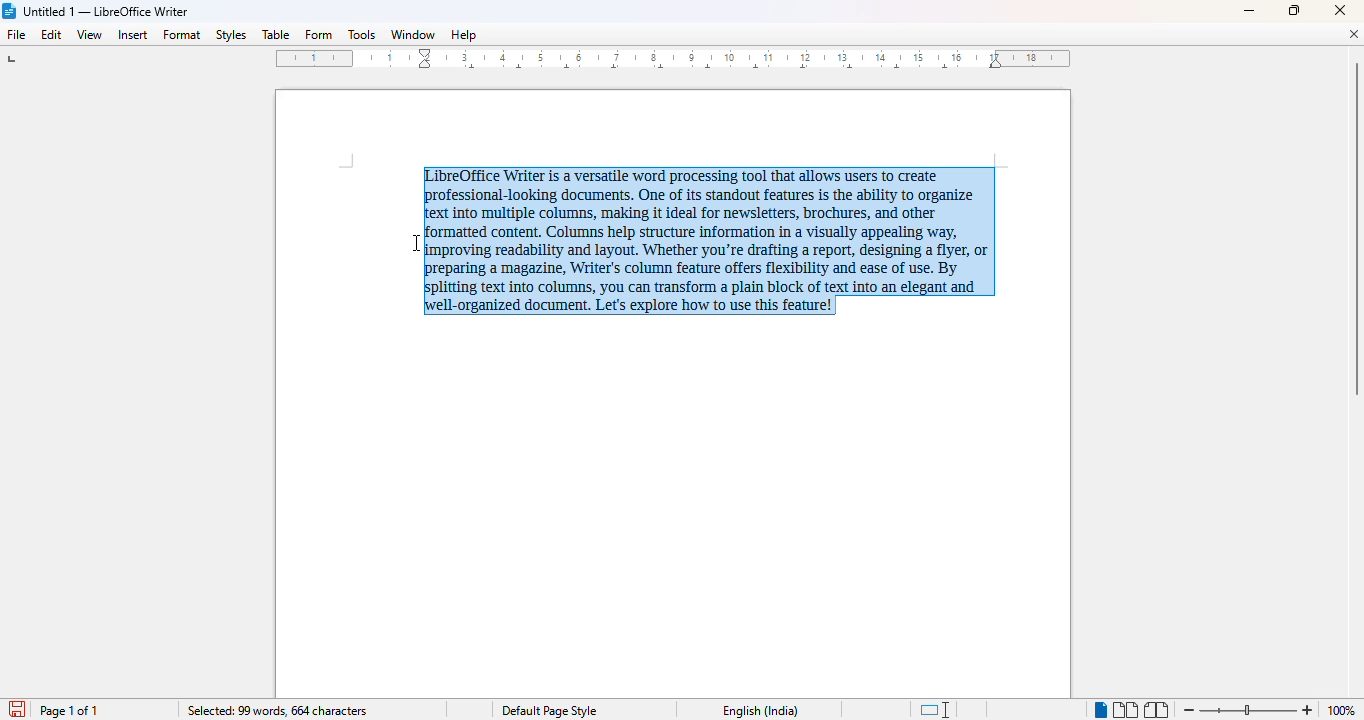  Describe the element at coordinates (10, 11) in the screenshot. I see `LibreOffice logo` at that location.